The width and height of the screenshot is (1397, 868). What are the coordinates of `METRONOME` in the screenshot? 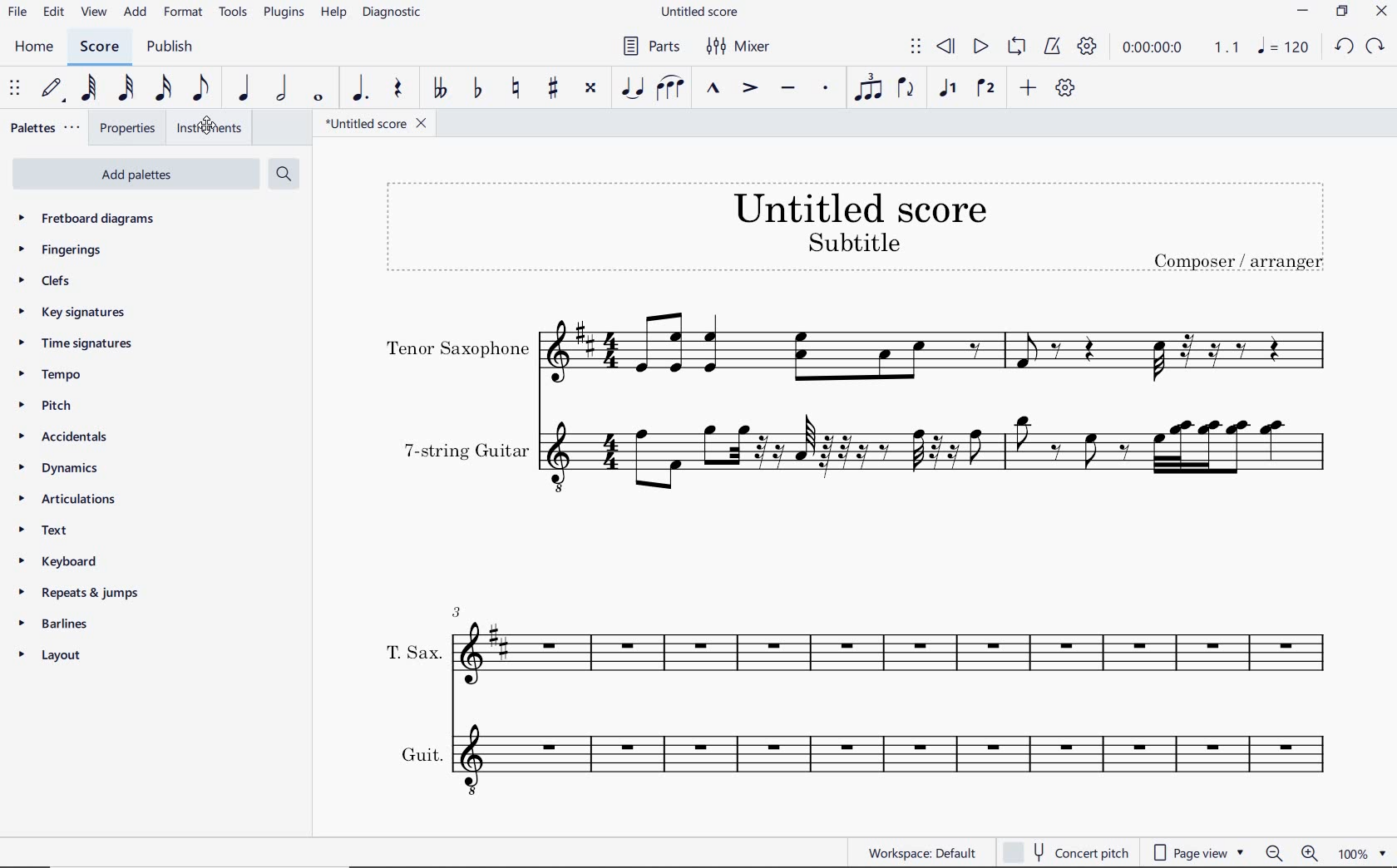 It's located at (1051, 47).